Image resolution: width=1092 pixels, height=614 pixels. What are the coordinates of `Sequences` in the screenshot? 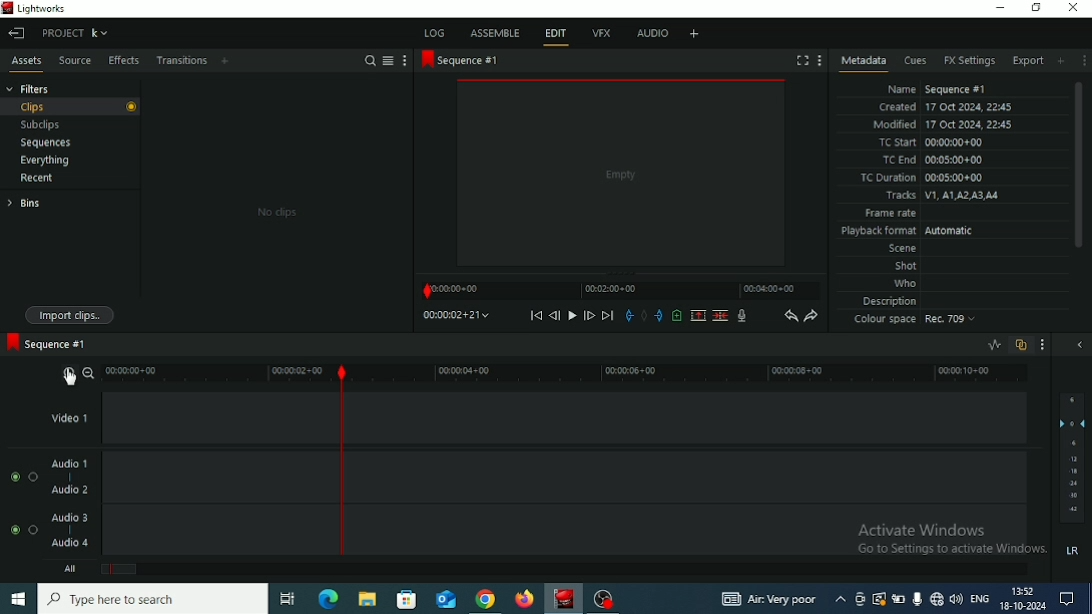 It's located at (45, 143).